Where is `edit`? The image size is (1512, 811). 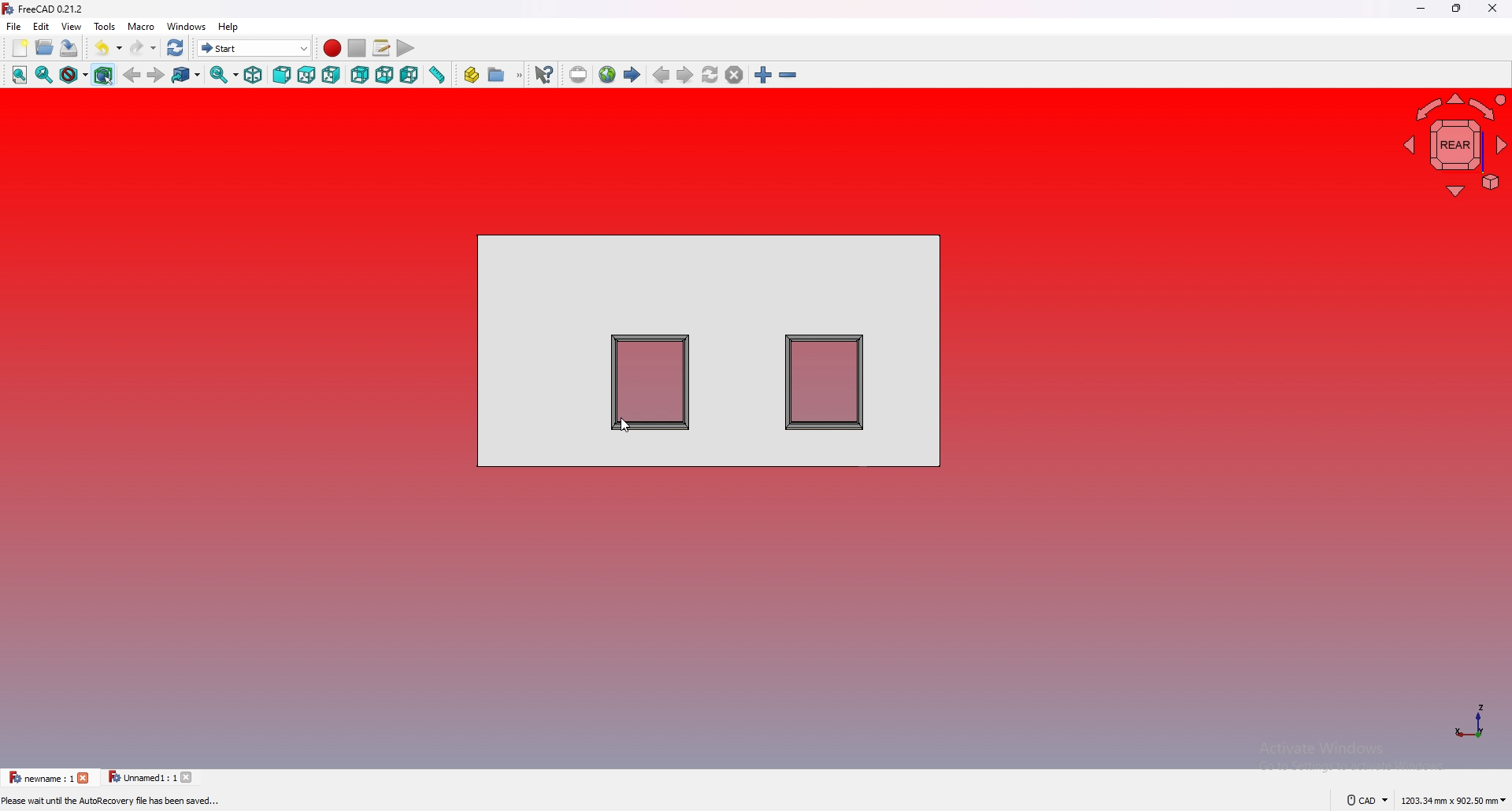 edit is located at coordinates (42, 26).